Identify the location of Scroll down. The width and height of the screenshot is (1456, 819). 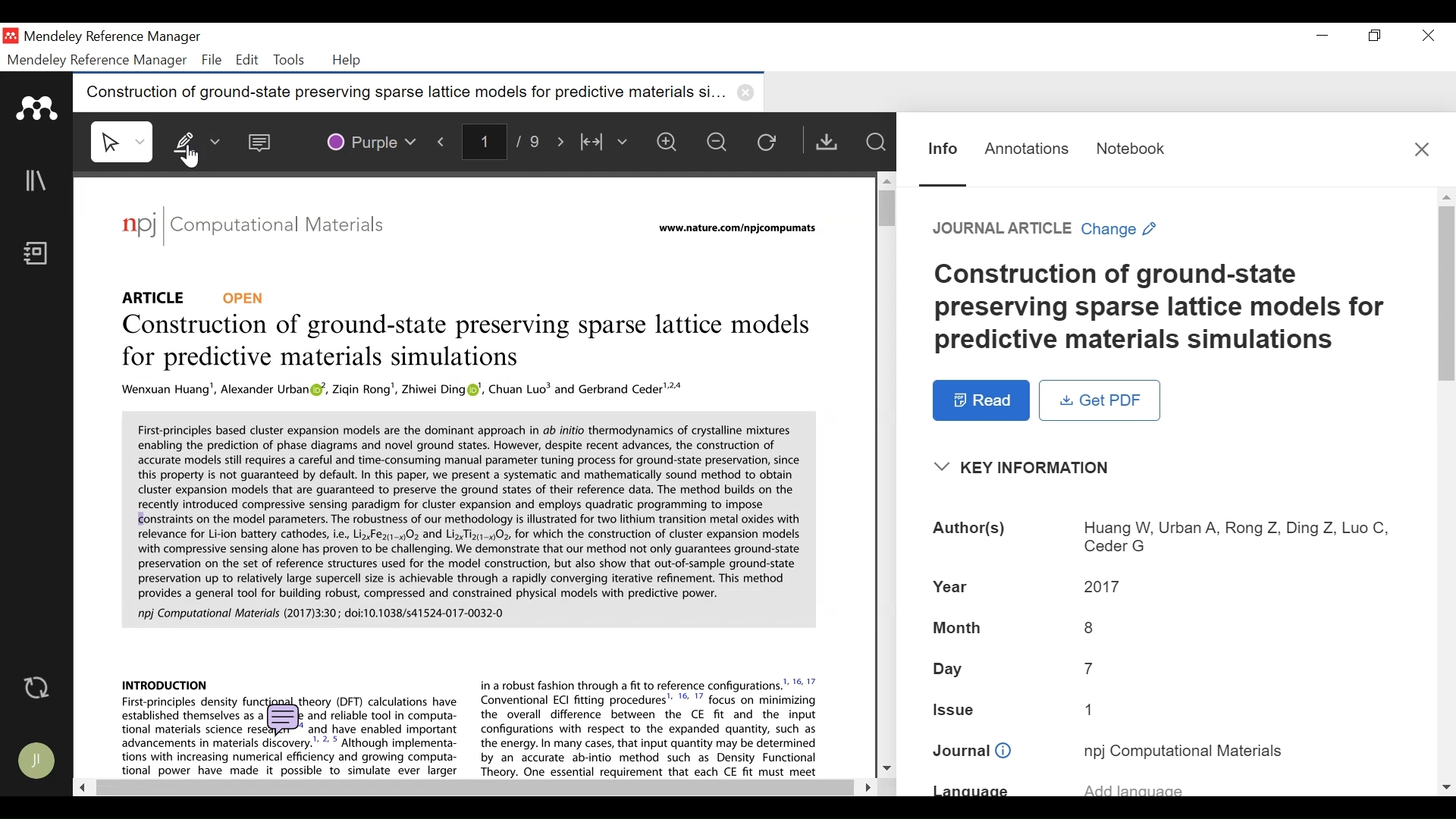
(886, 766).